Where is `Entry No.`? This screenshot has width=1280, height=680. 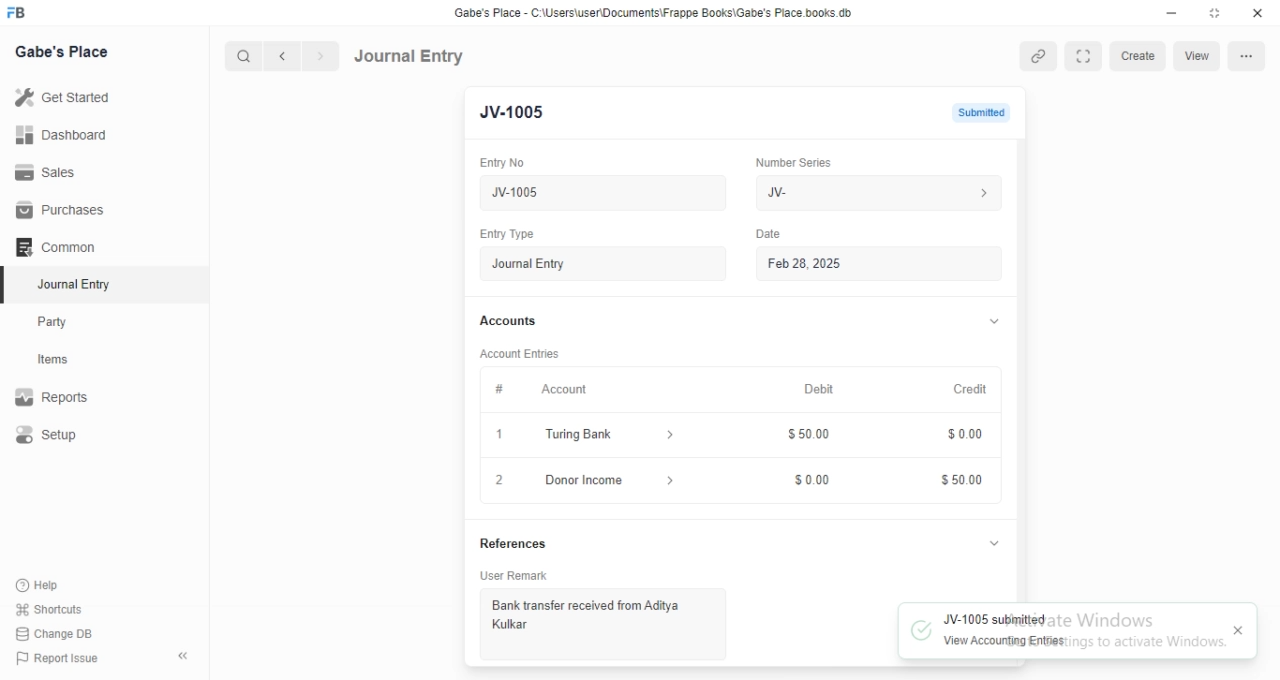
Entry No. is located at coordinates (508, 163).